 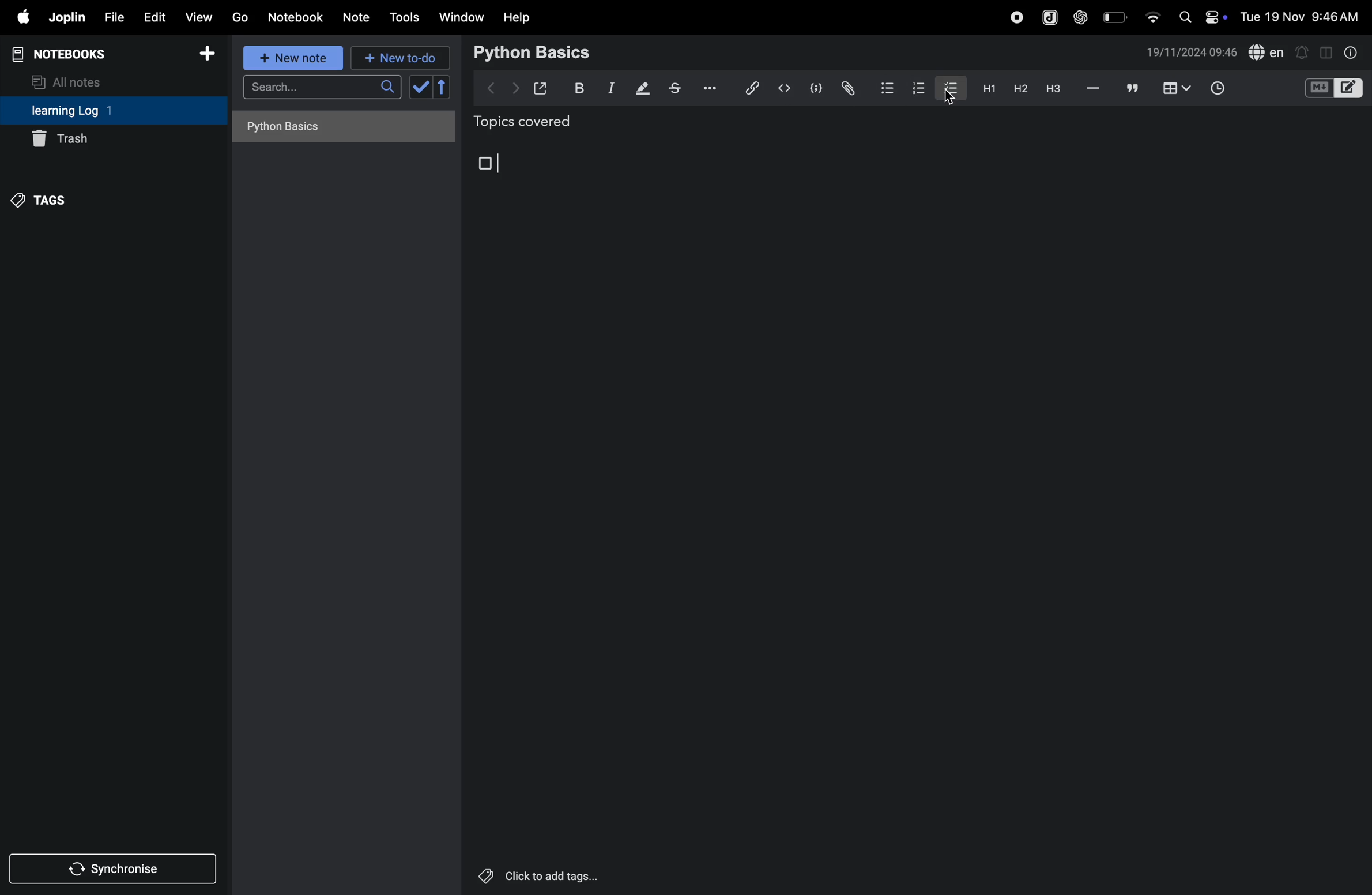 What do you see at coordinates (1152, 13) in the screenshot?
I see `wifi` at bounding box center [1152, 13].